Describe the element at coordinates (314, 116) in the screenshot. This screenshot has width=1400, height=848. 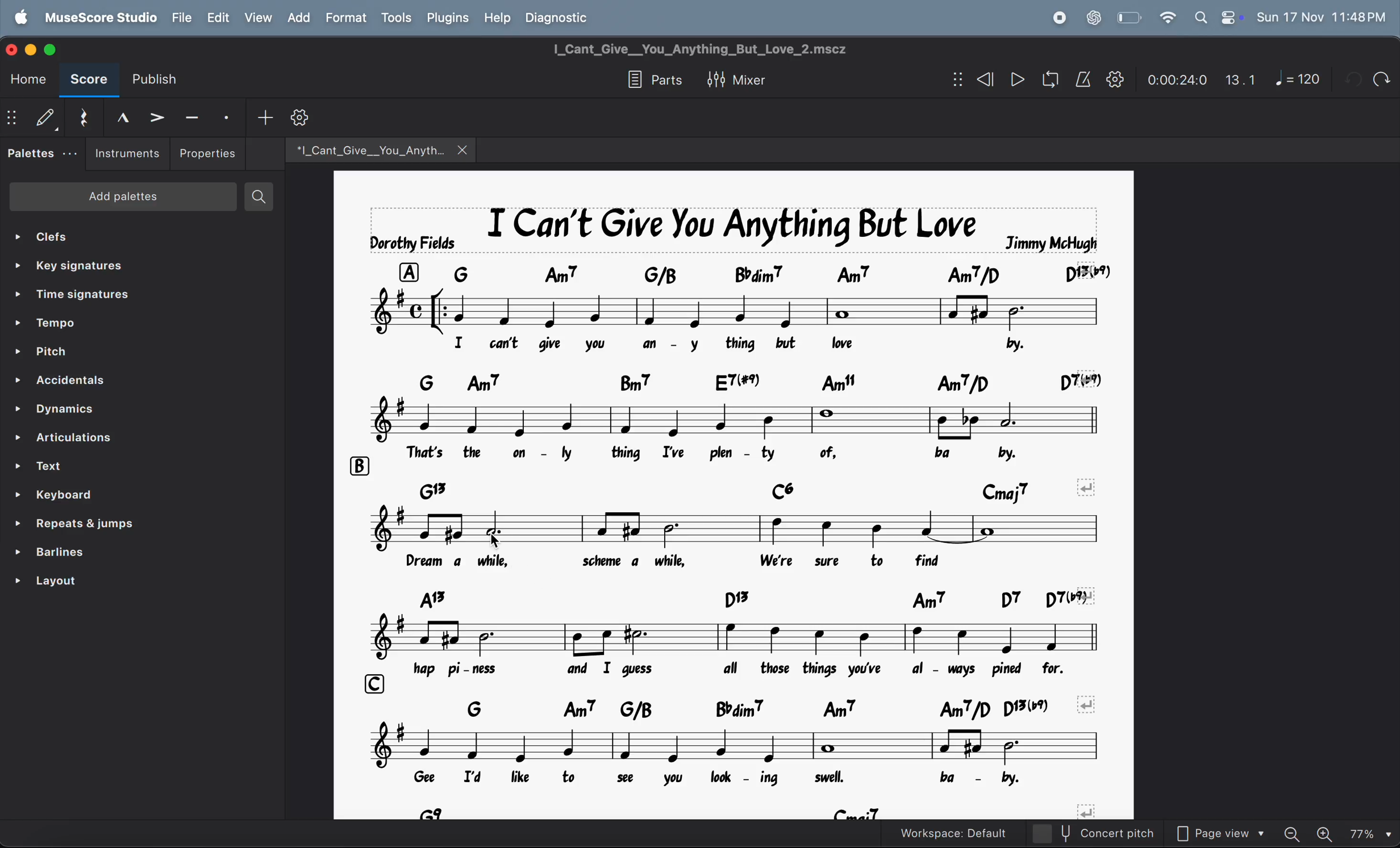
I see `customize tool bar` at that location.